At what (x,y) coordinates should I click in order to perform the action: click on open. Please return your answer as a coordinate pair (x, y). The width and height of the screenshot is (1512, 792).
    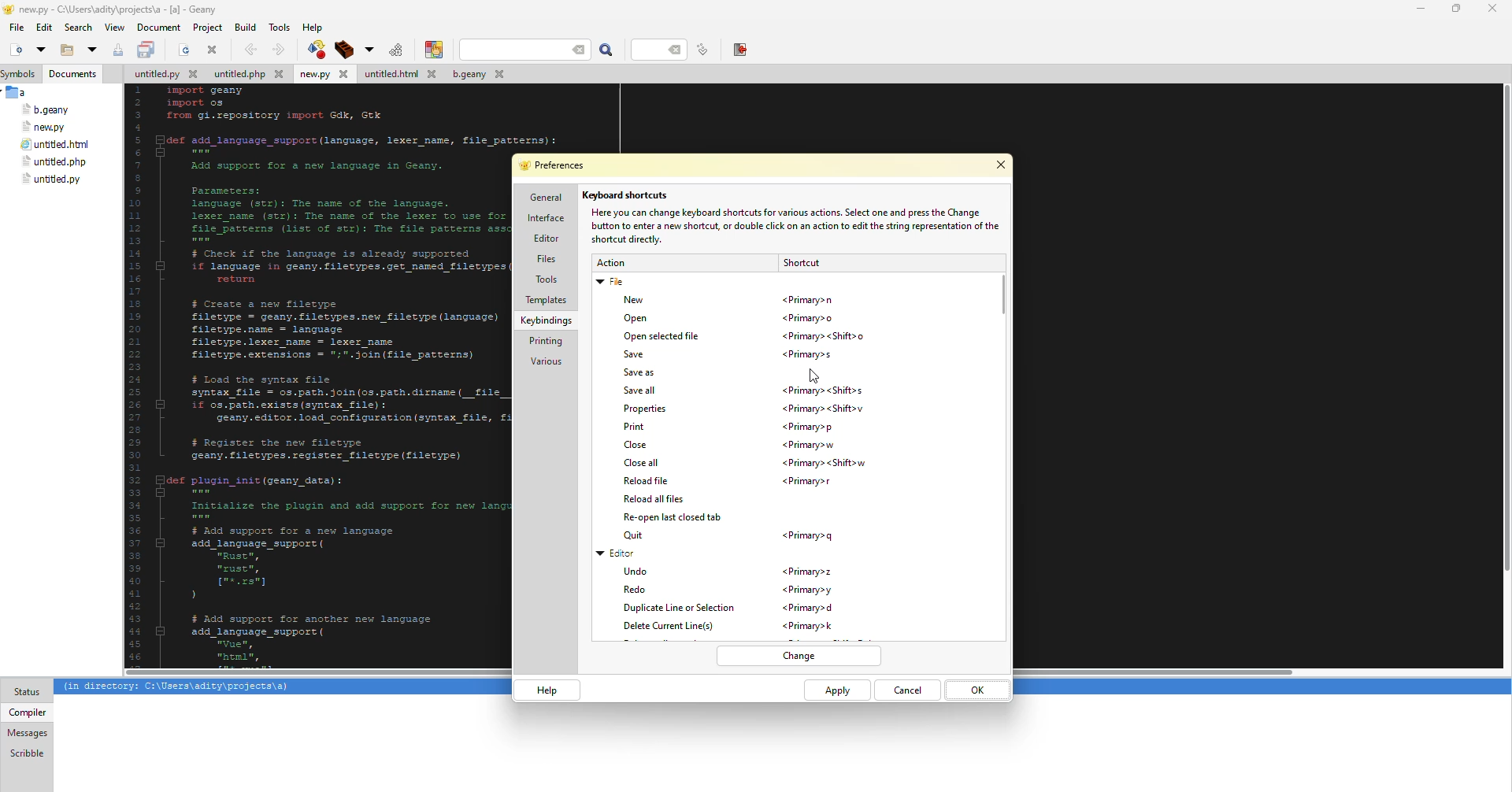
    Looking at the image, I should click on (91, 50).